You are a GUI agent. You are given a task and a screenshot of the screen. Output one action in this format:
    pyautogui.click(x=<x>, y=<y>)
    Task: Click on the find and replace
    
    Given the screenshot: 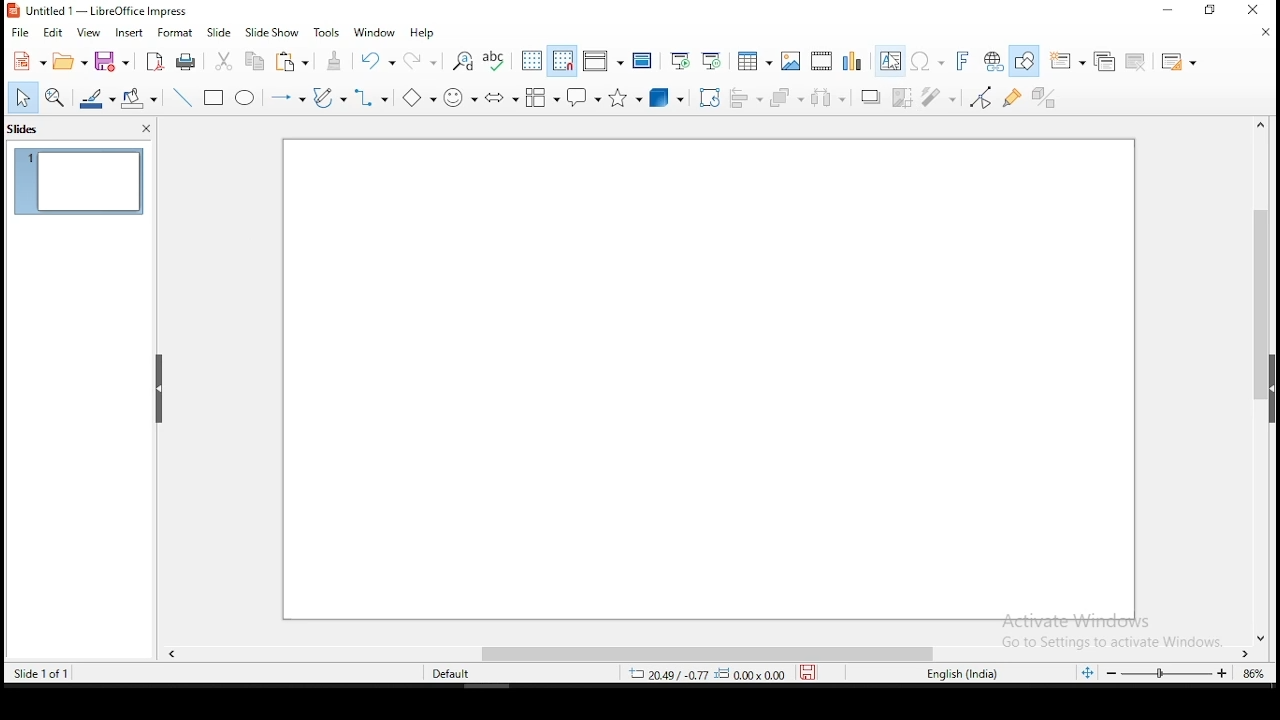 What is the action you would take?
    pyautogui.click(x=464, y=61)
    